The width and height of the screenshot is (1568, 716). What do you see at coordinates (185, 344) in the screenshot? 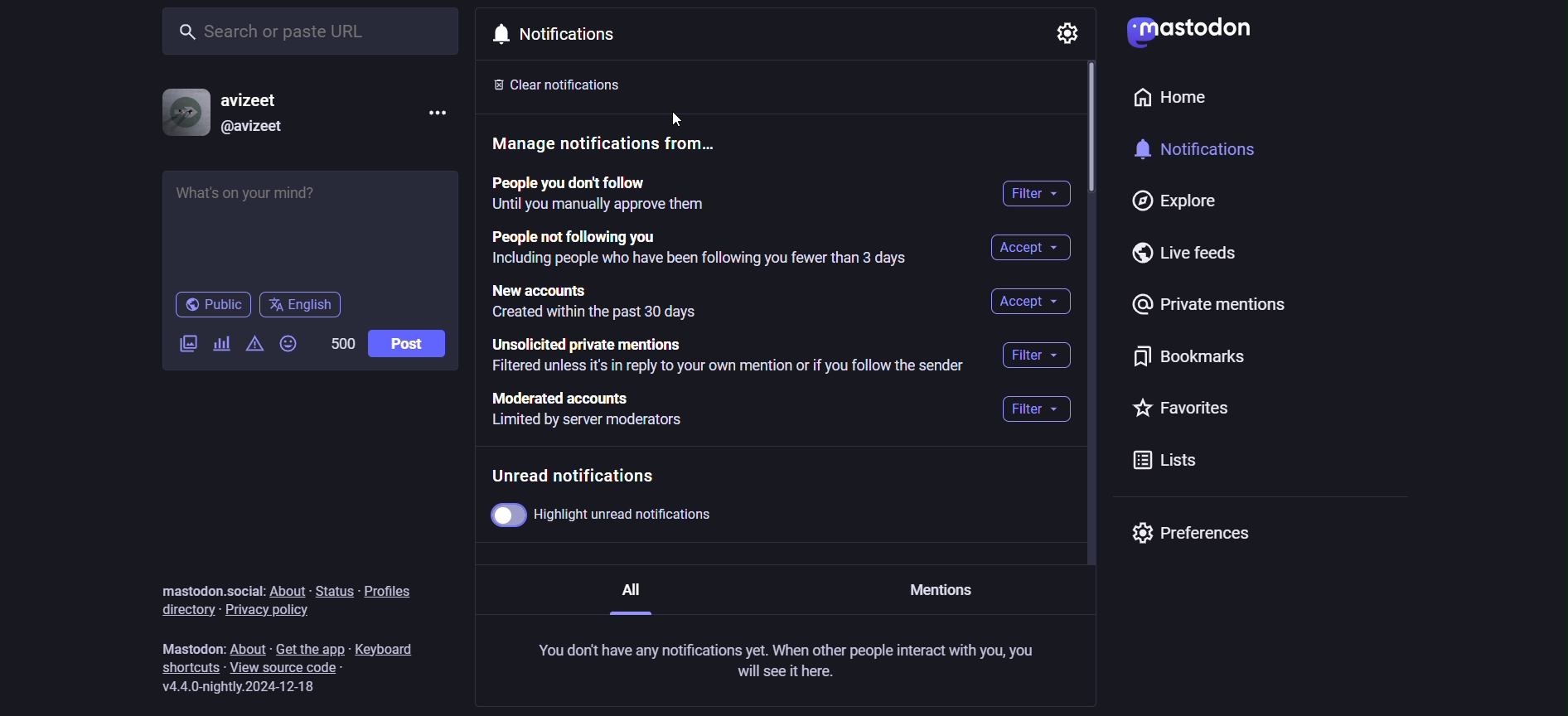
I see `add images` at bounding box center [185, 344].